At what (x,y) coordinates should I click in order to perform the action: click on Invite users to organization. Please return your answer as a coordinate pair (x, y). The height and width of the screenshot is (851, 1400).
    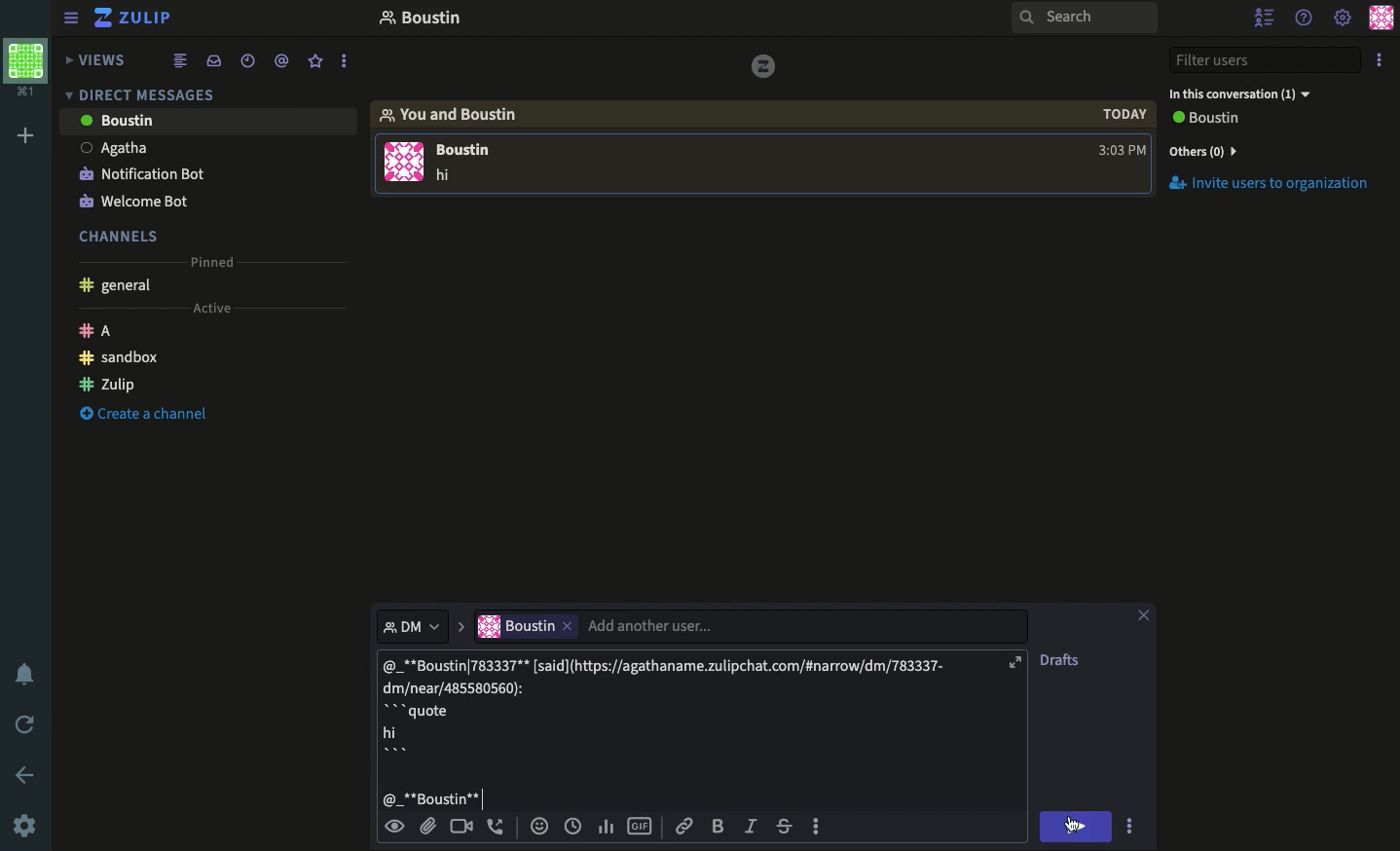
    Looking at the image, I should click on (1273, 150).